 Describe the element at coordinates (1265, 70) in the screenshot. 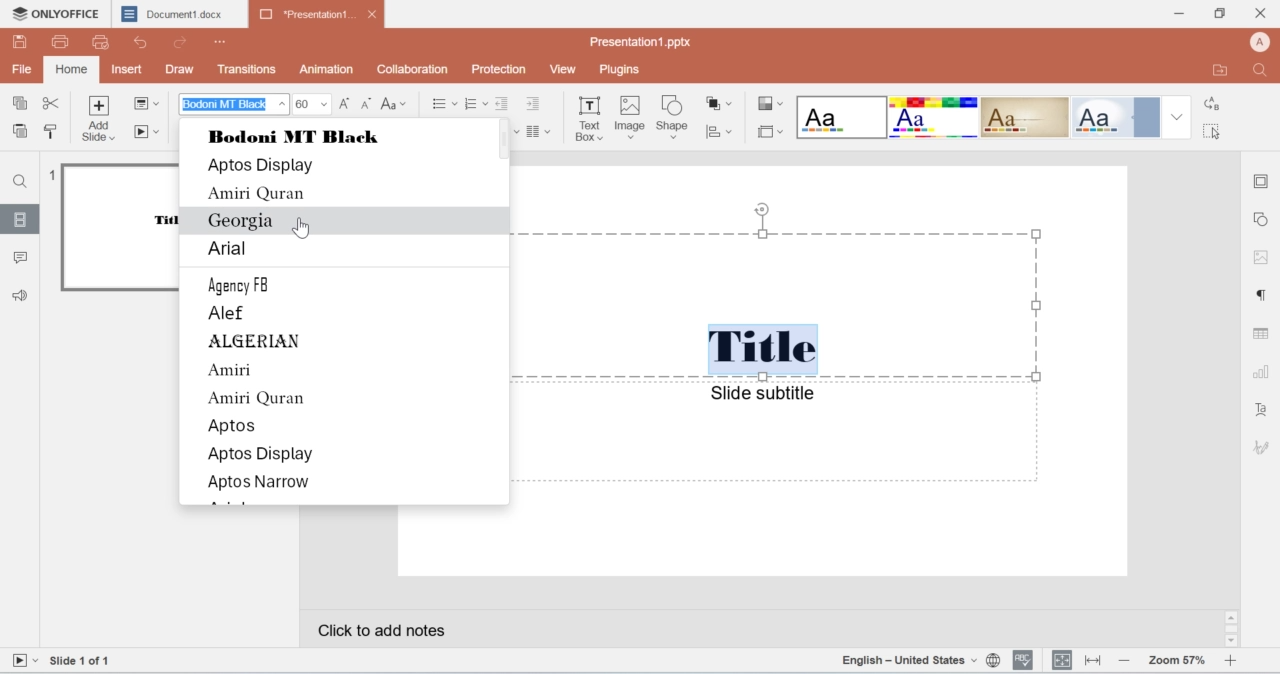

I see `search` at that location.